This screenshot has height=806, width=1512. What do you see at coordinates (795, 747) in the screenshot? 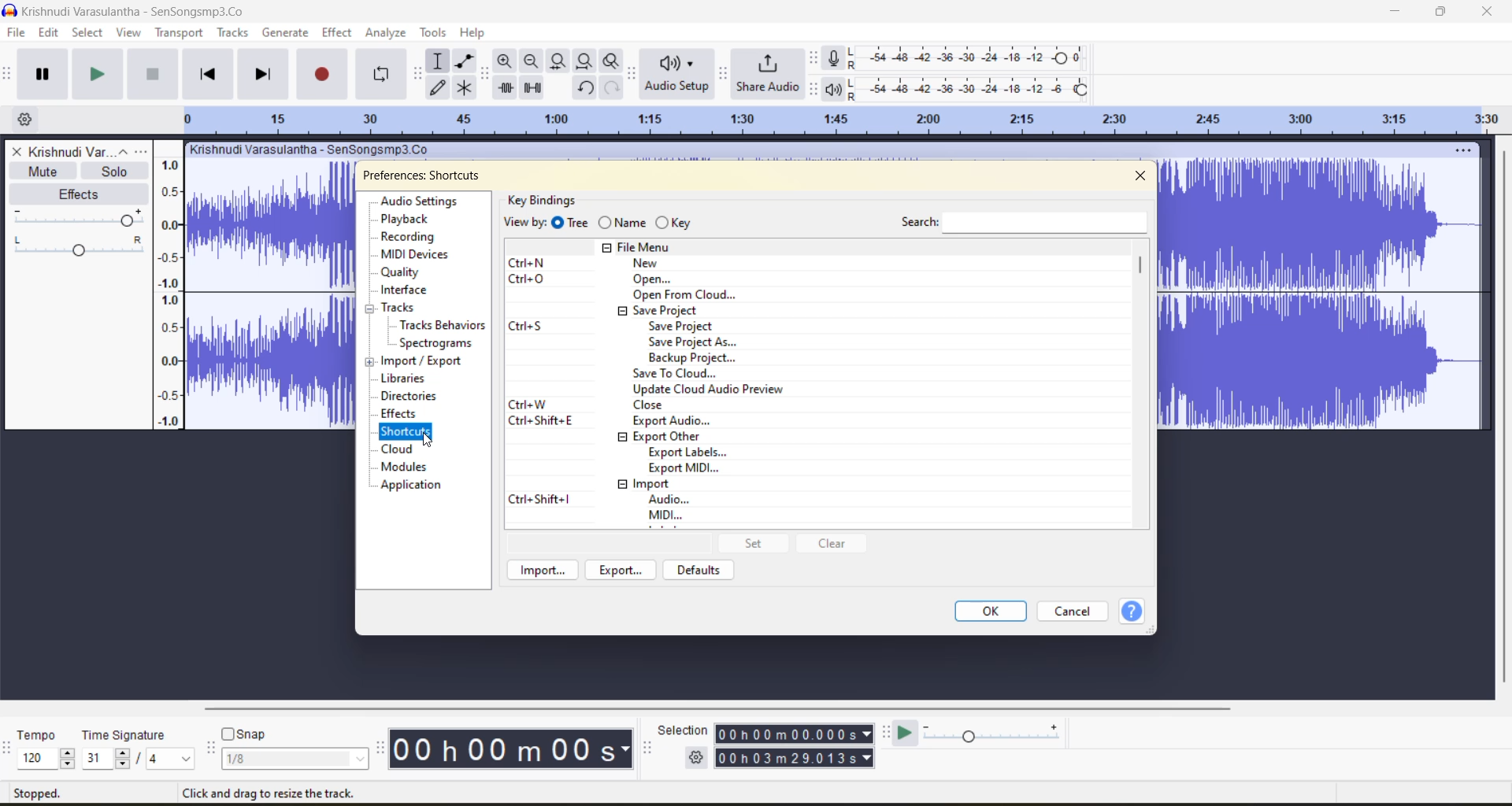
I see `track play time` at bounding box center [795, 747].